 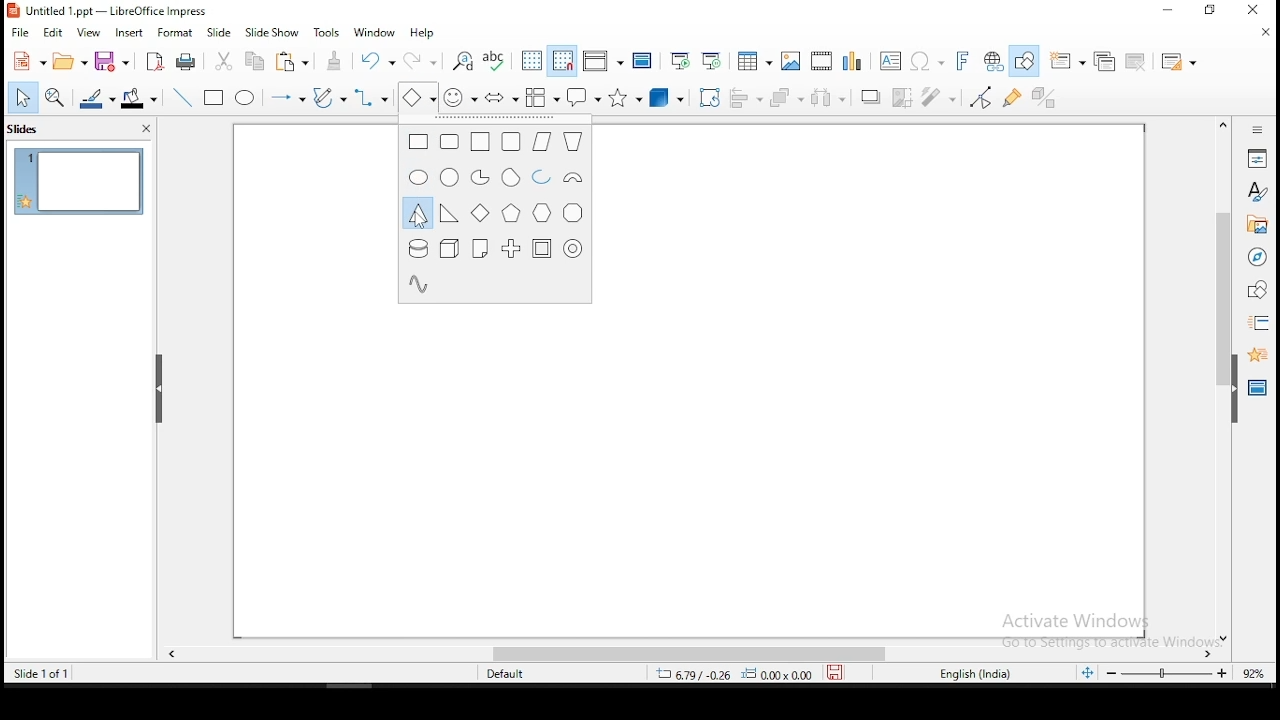 What do you see at coordinates (667, 97) in the screenshot?
I see `3D objects` at bounding box center [667, 97].